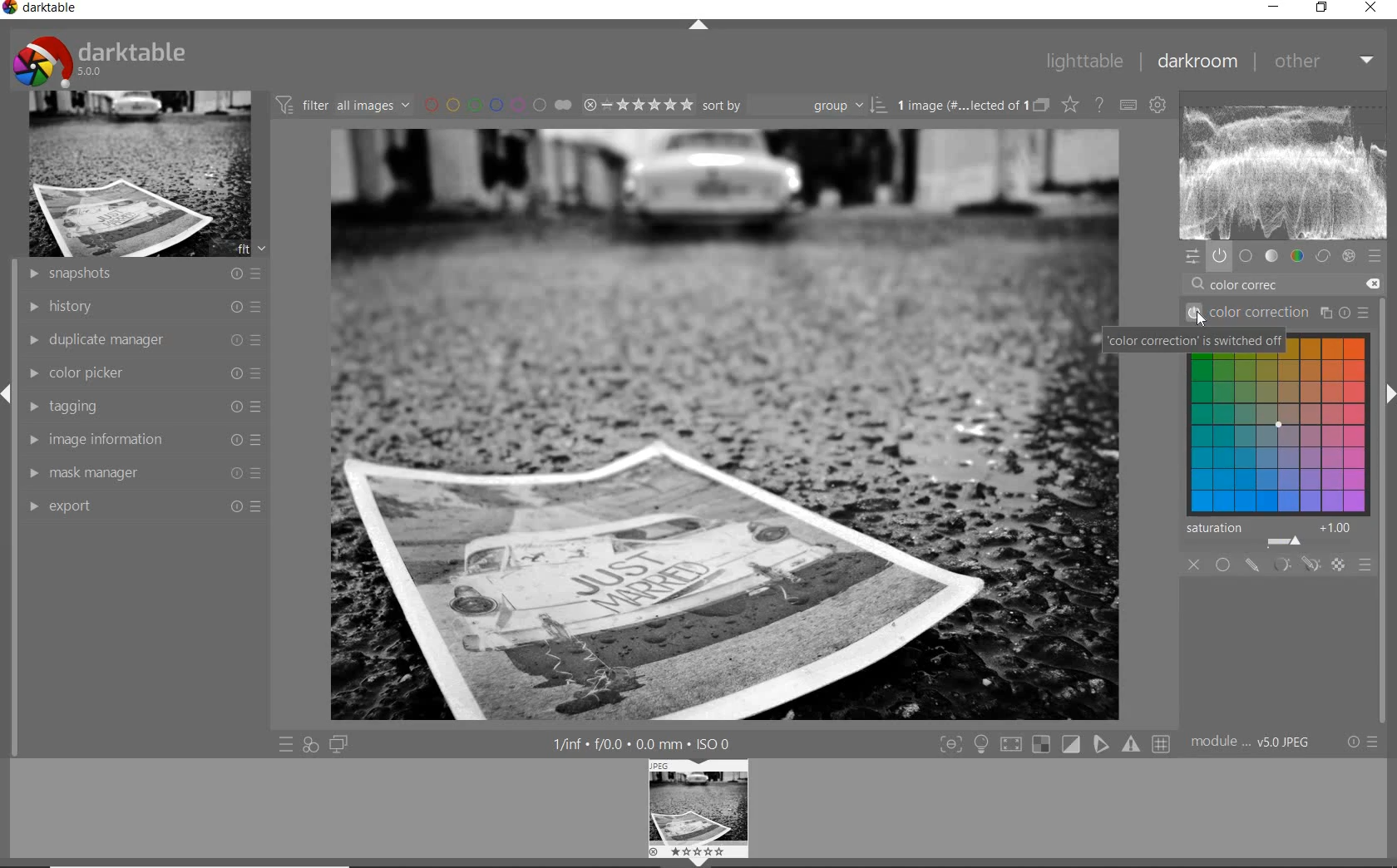 Image resolution: width=1397 pixels, height=868 pixels. Describe the element at coordinates (635, 105) in the screenshot. I see `selected image range rating` at that location.